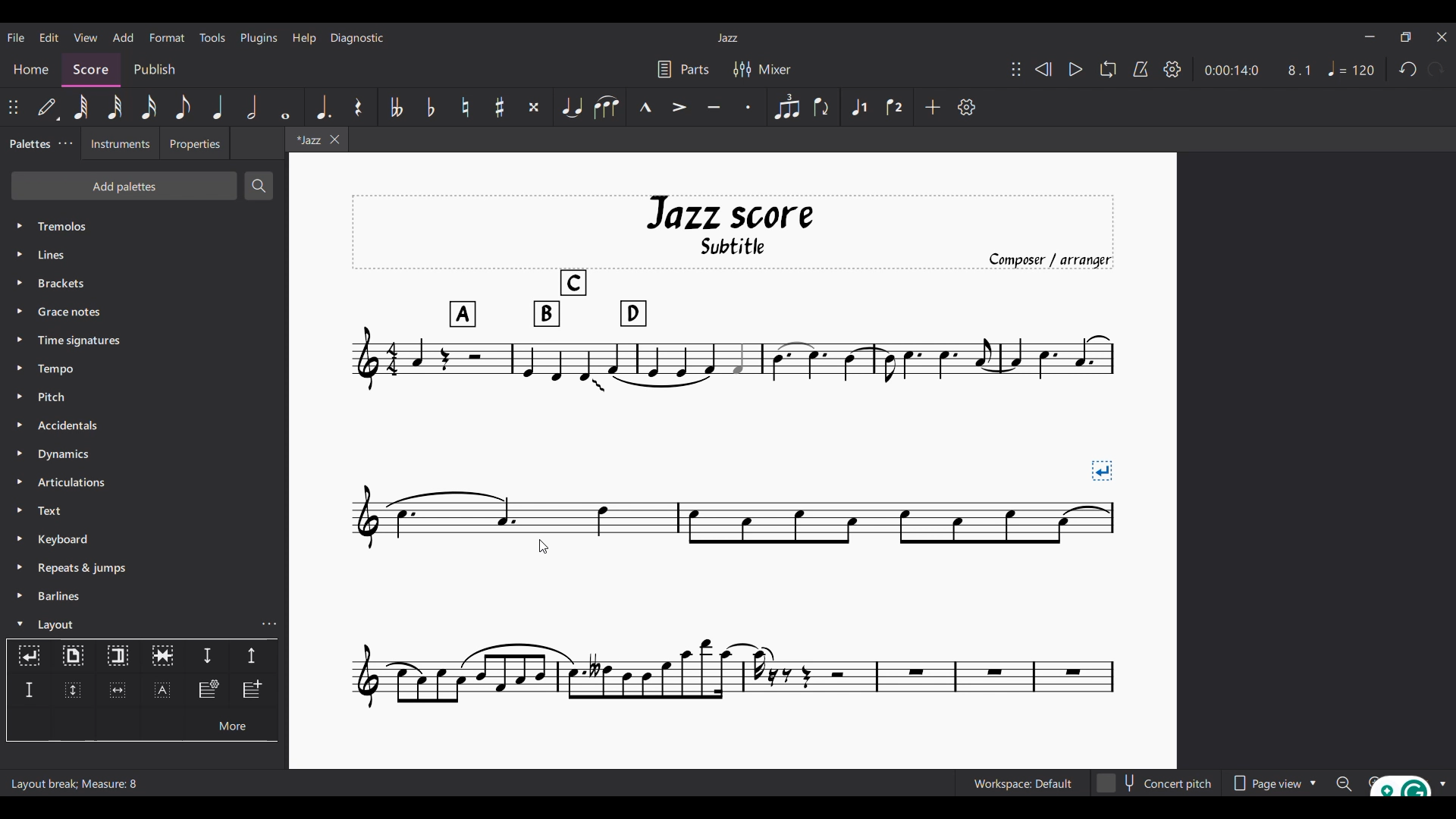 Image resolution: width=1456 pixels, height=819 pixels. Describe the element at coordinates (733, 452) in the screenshot. I see `System break added to current score` at that location.